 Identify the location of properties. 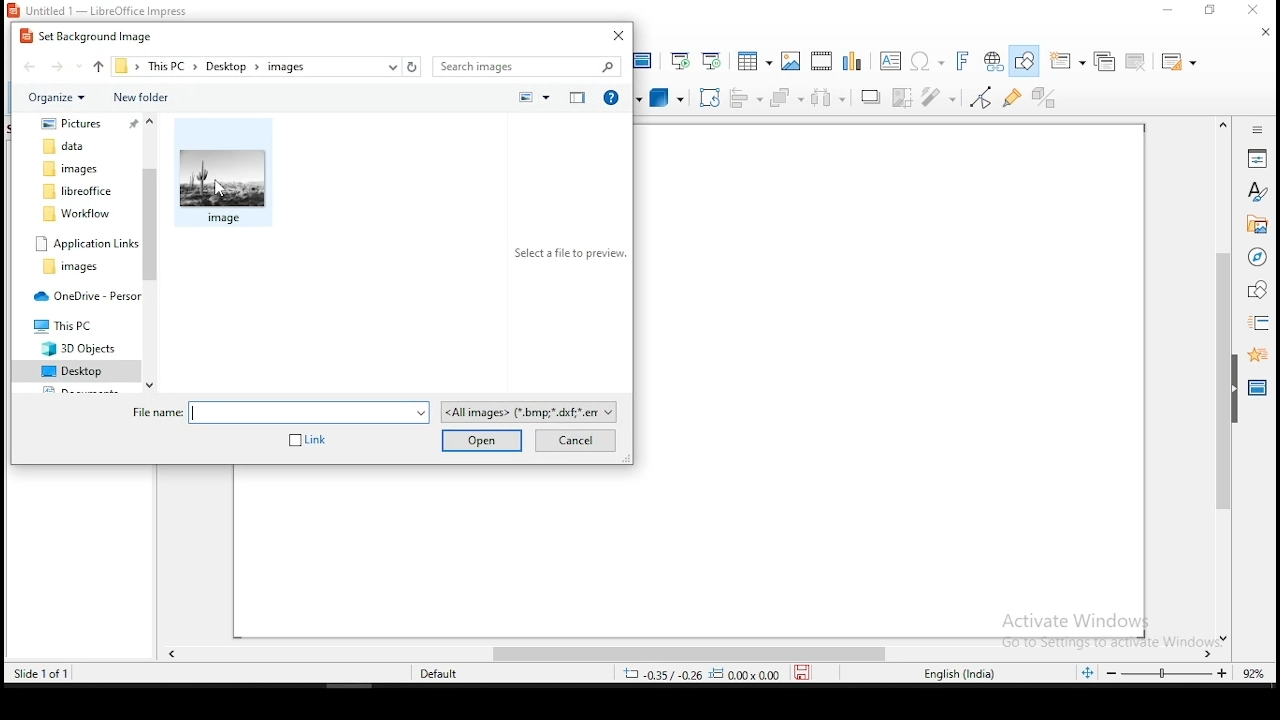
(1257, 158).